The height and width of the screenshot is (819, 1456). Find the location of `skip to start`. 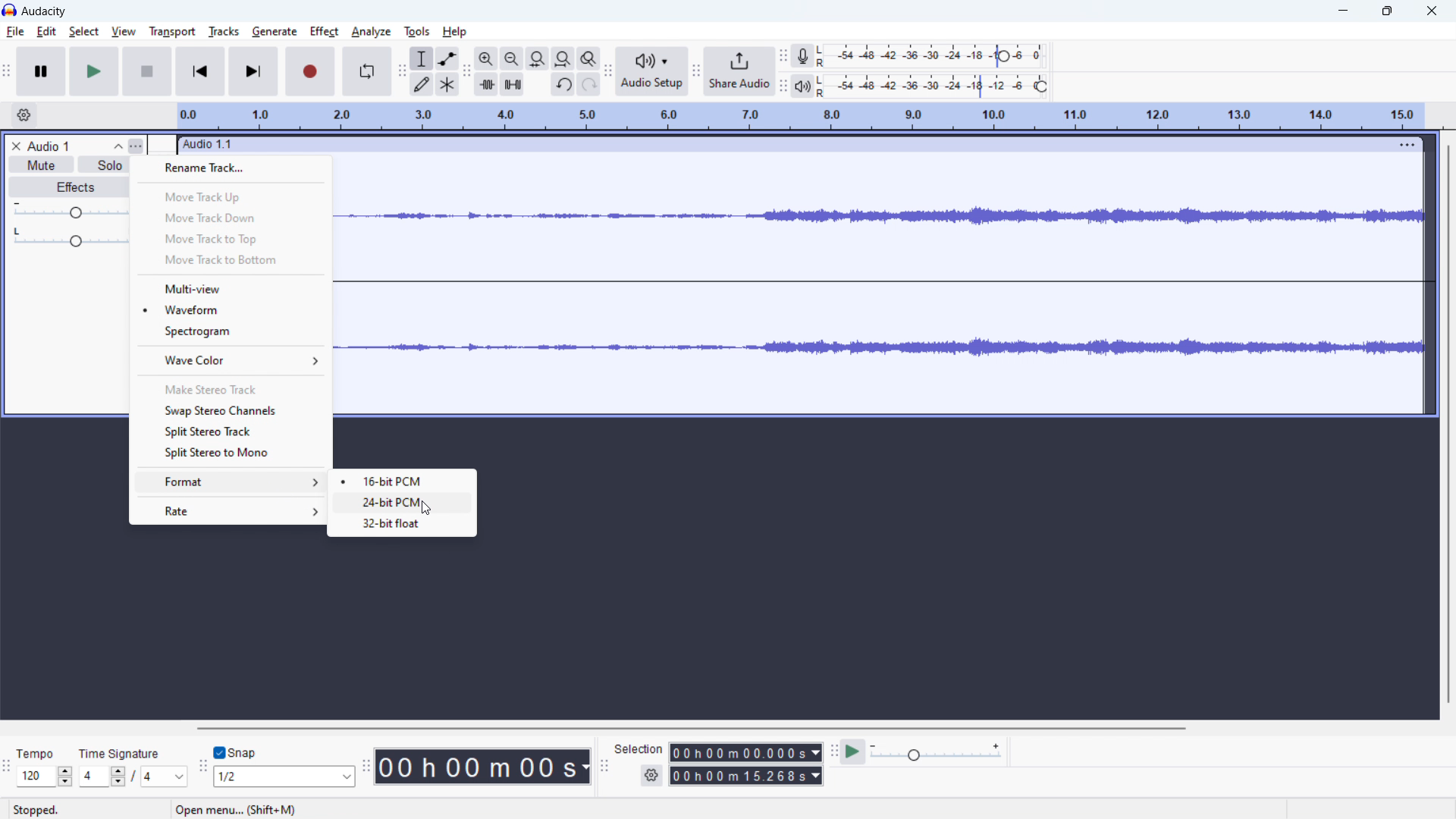

skip to start is located at coordinates (200, 71).